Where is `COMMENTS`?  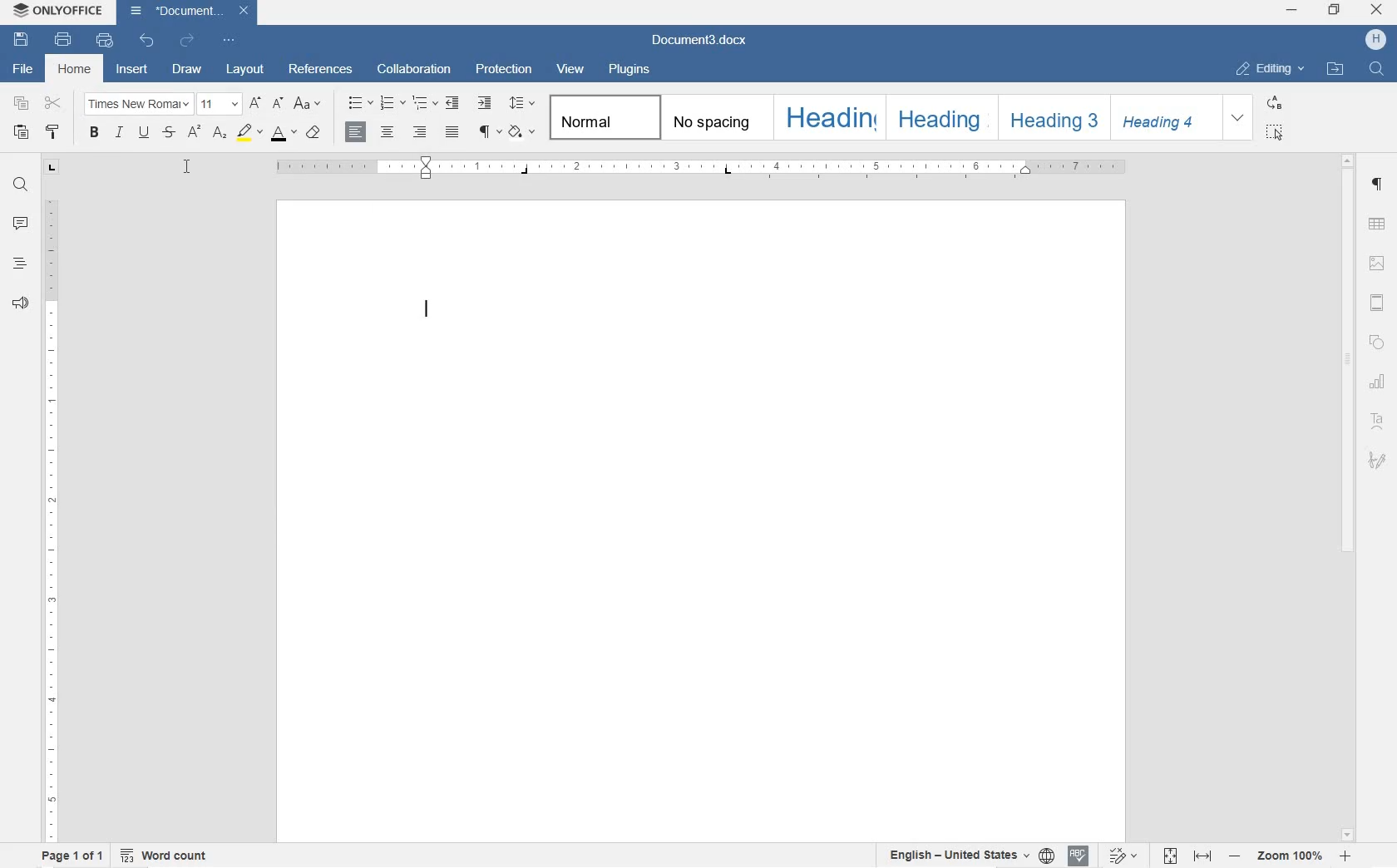 COMMENTS is located at coordinates (17, 224).